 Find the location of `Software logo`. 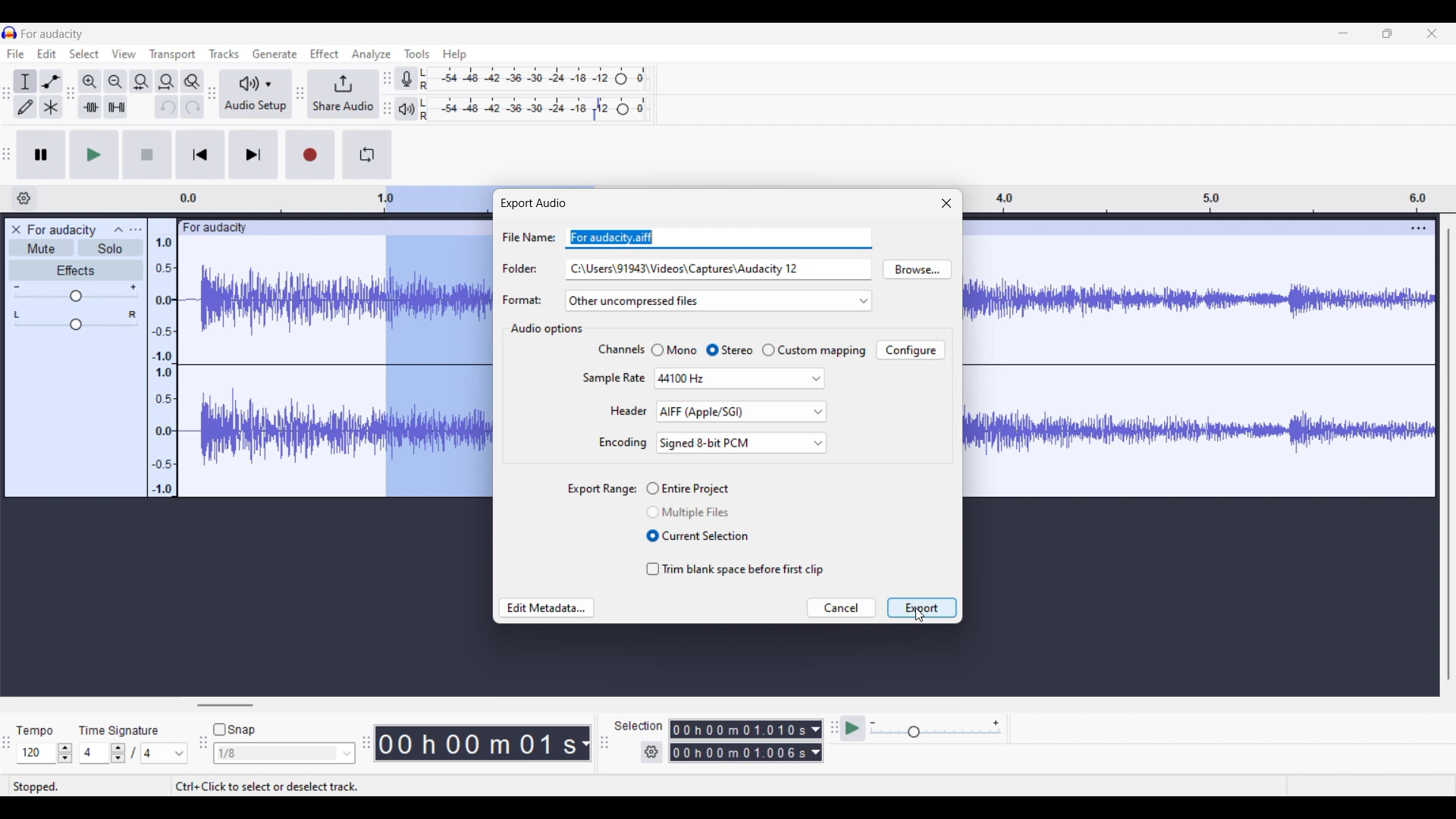

Software logo is located at coordinates (10, 33).